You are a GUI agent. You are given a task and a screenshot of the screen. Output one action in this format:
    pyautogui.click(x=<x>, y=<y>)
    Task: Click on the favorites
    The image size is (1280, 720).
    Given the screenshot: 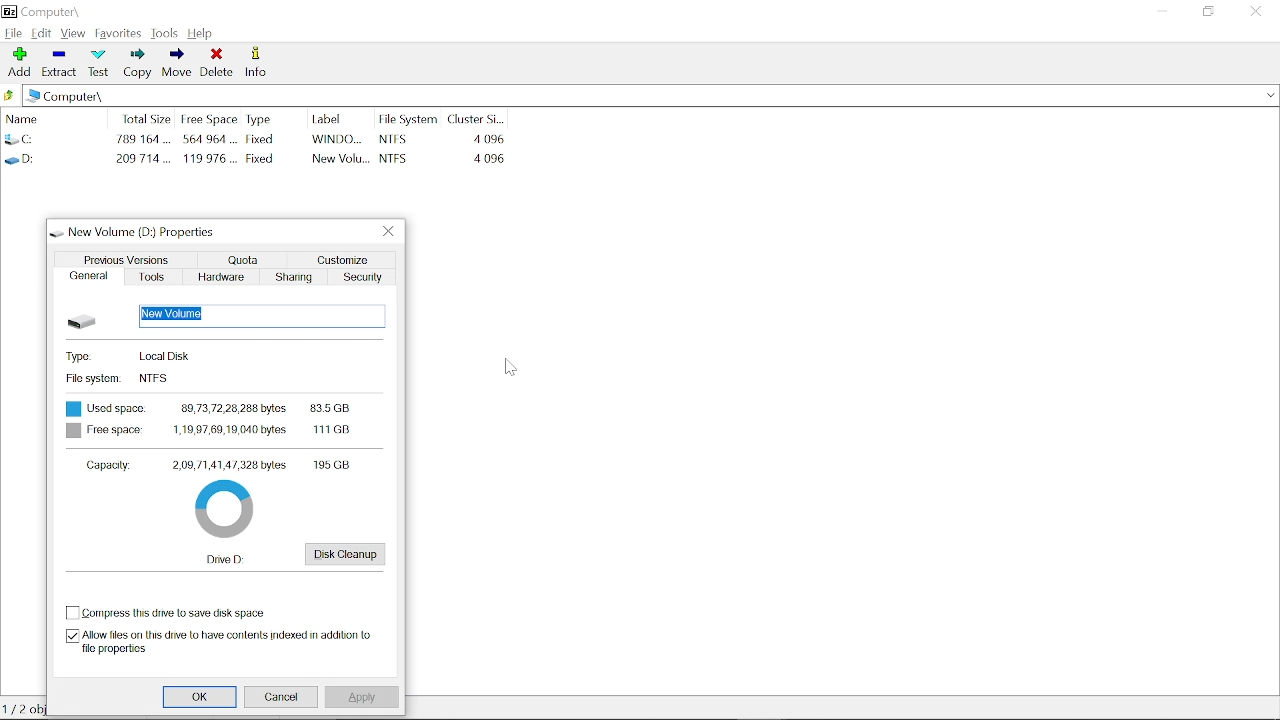 What is the action you would take?
    pyautogui.click(x=119, y=33)
    